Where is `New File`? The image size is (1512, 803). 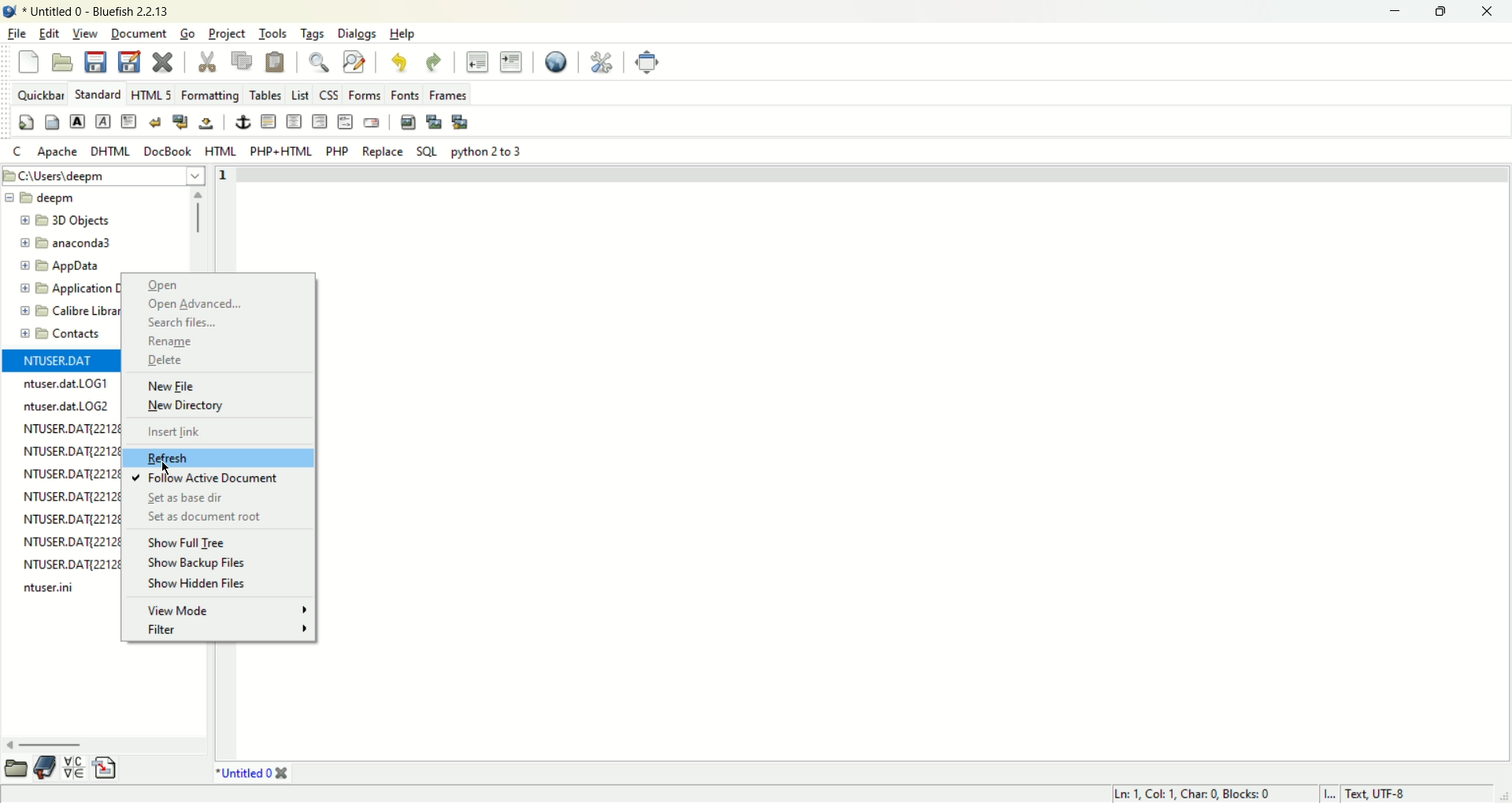 New File is located at coordinates (210, 386).